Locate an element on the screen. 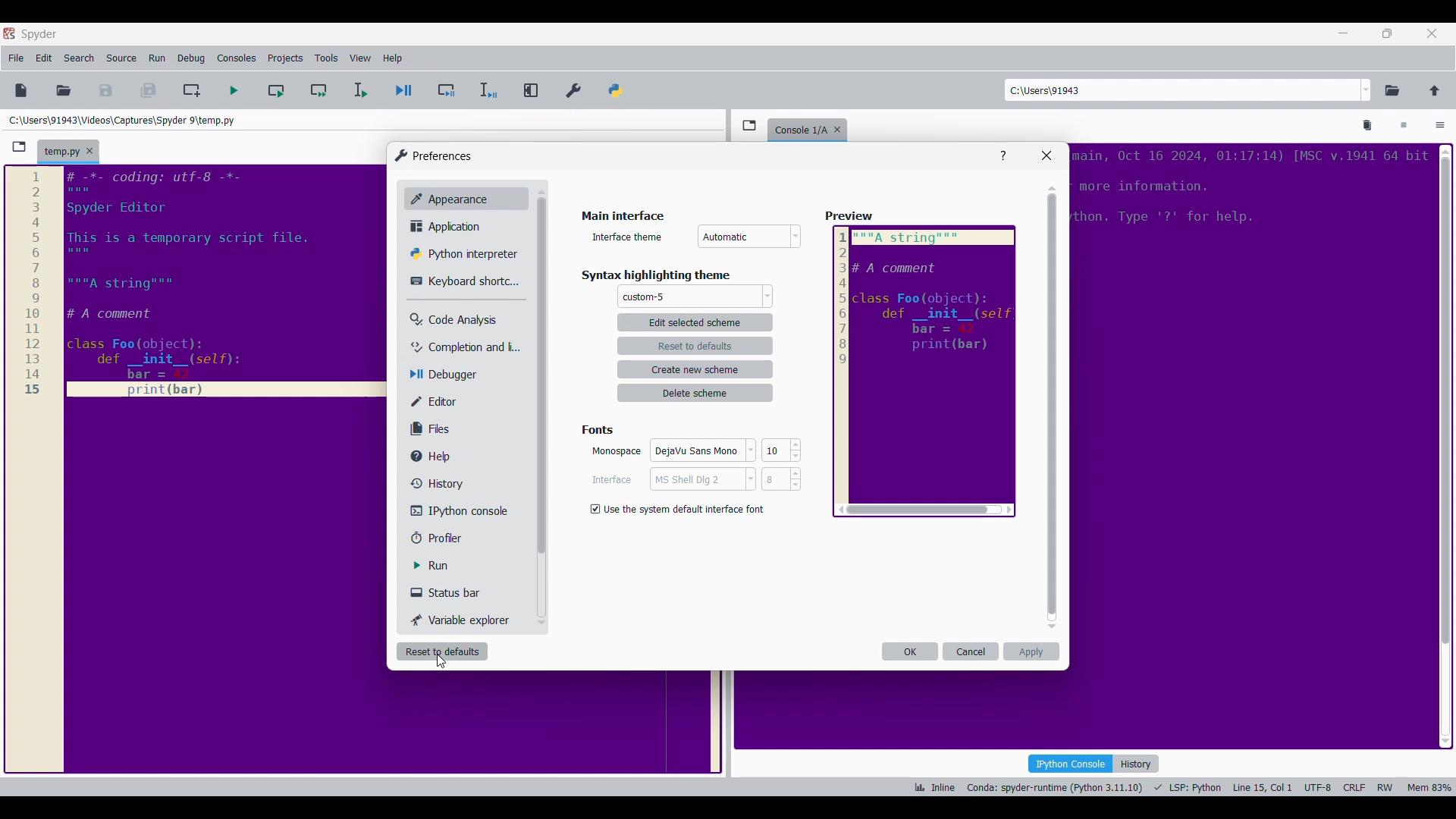 The width and height of the screenshot is (1456, 819). Appearance, current setting highlighted is located at coordinates (467, 198).